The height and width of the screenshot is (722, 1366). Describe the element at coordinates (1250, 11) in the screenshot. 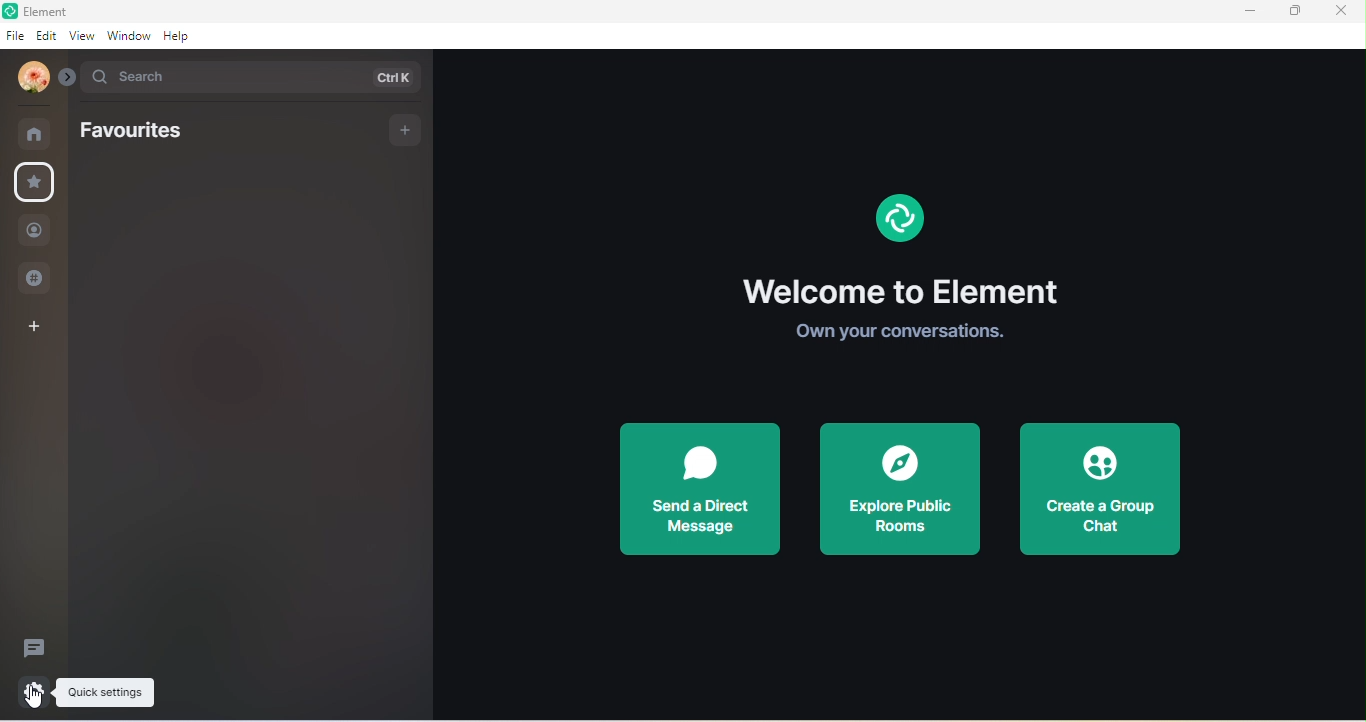

I see `minimize` at that location.